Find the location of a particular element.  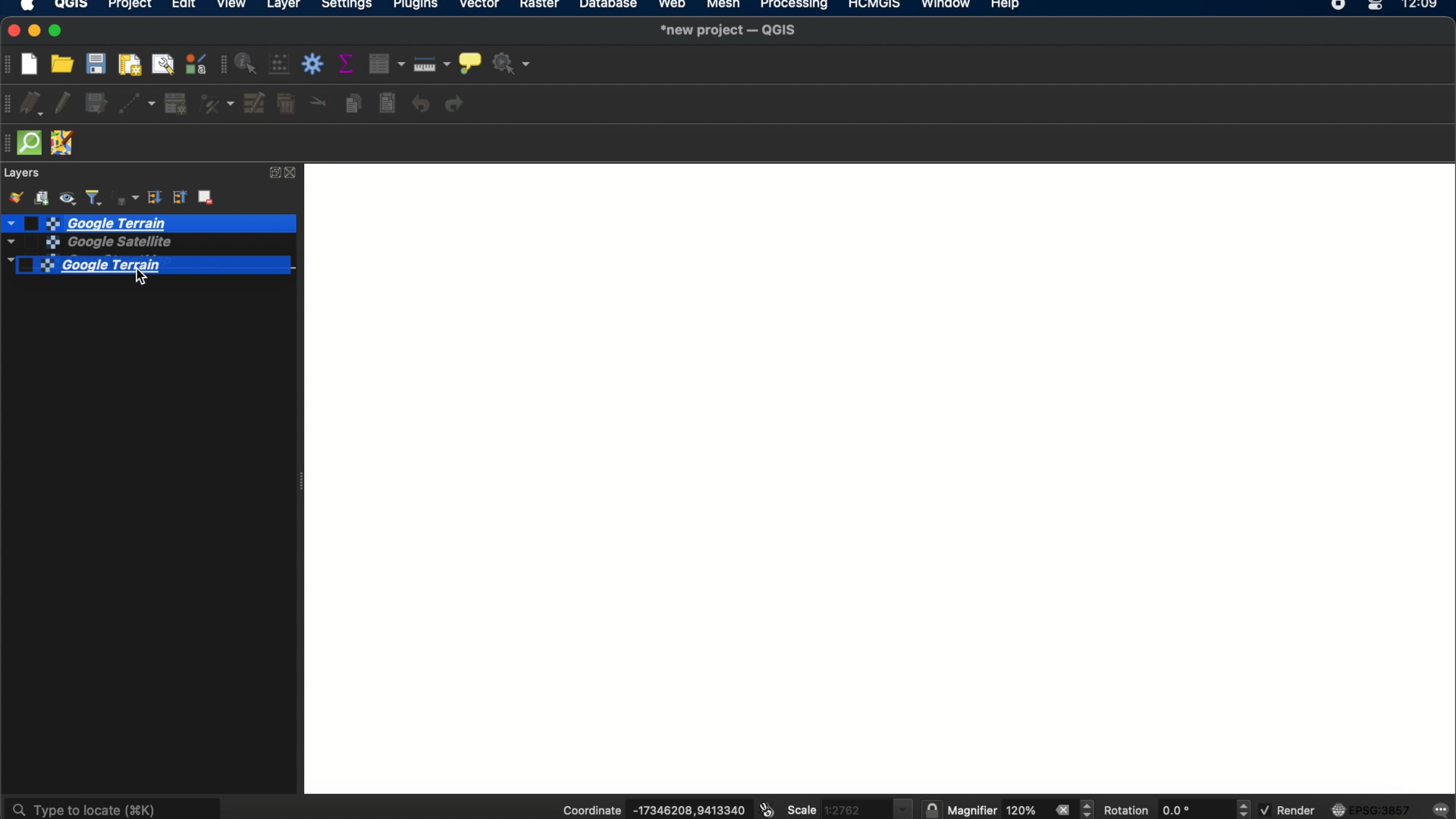

HCMGIS is located at coordinates (873, 6).